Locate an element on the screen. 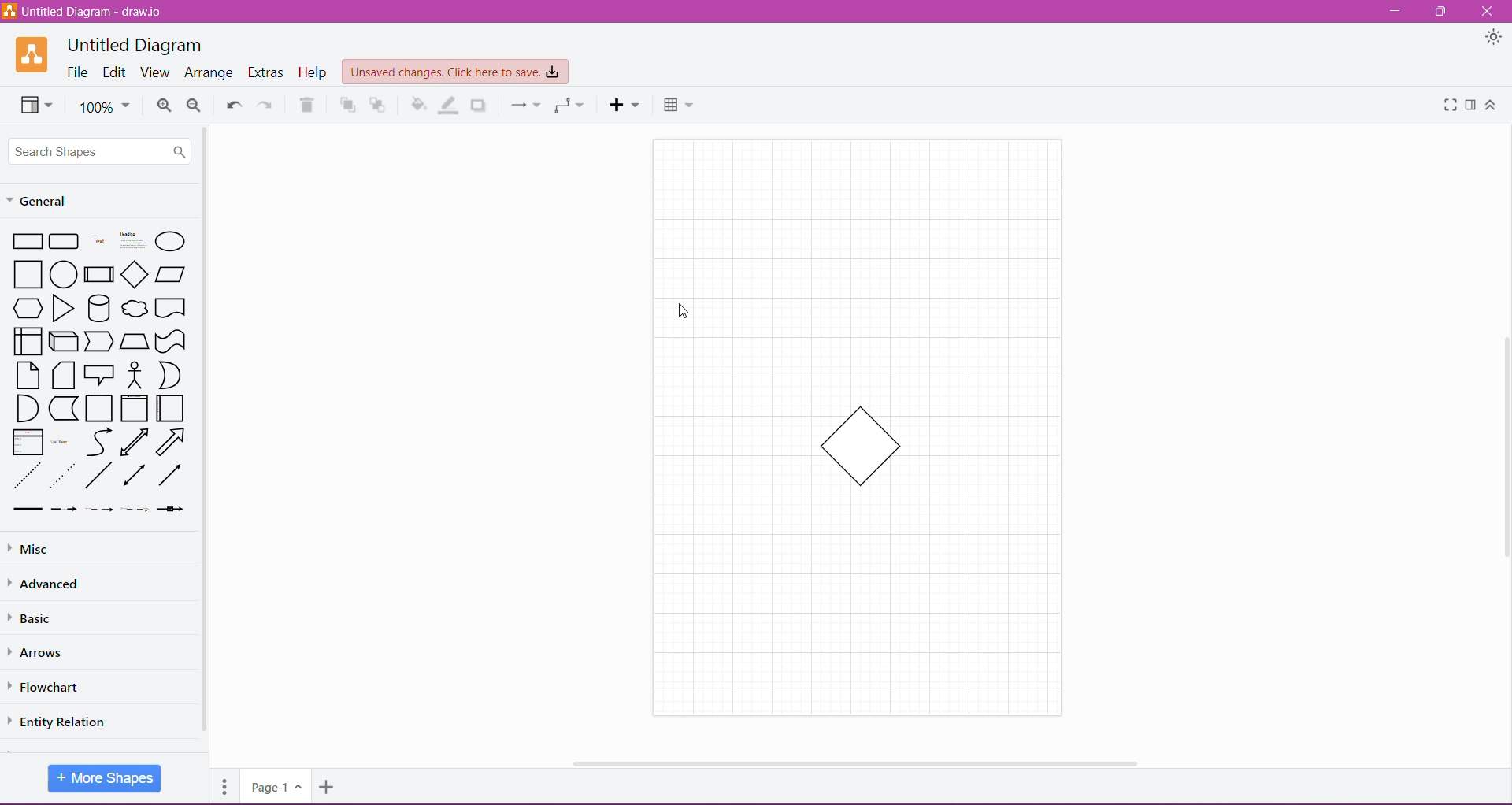 This screenshot has height=805, width=1512. Connection is located at coordinates (527, 105).